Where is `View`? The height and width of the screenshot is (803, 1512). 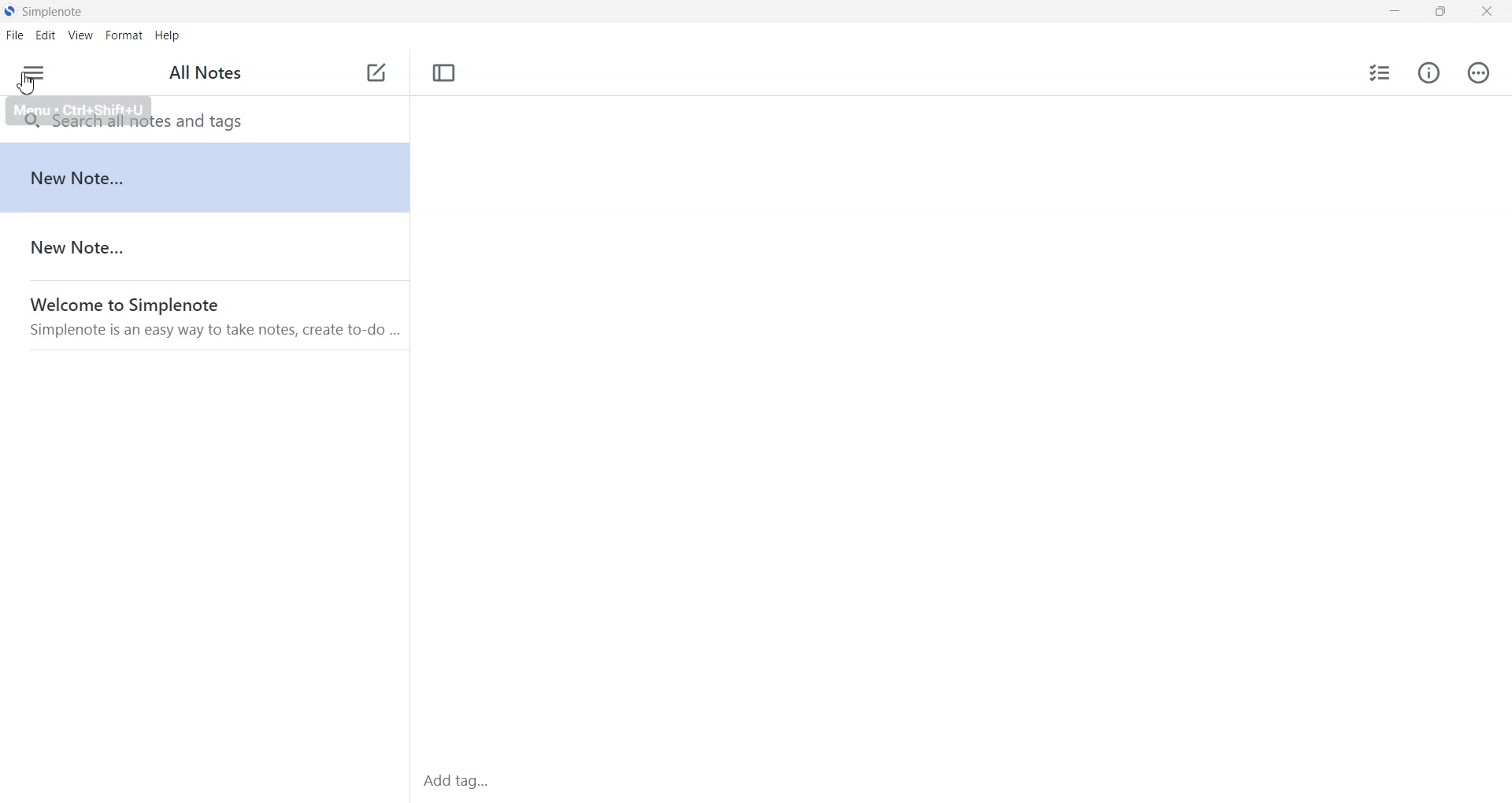 View is located at coordinates (80, 34).